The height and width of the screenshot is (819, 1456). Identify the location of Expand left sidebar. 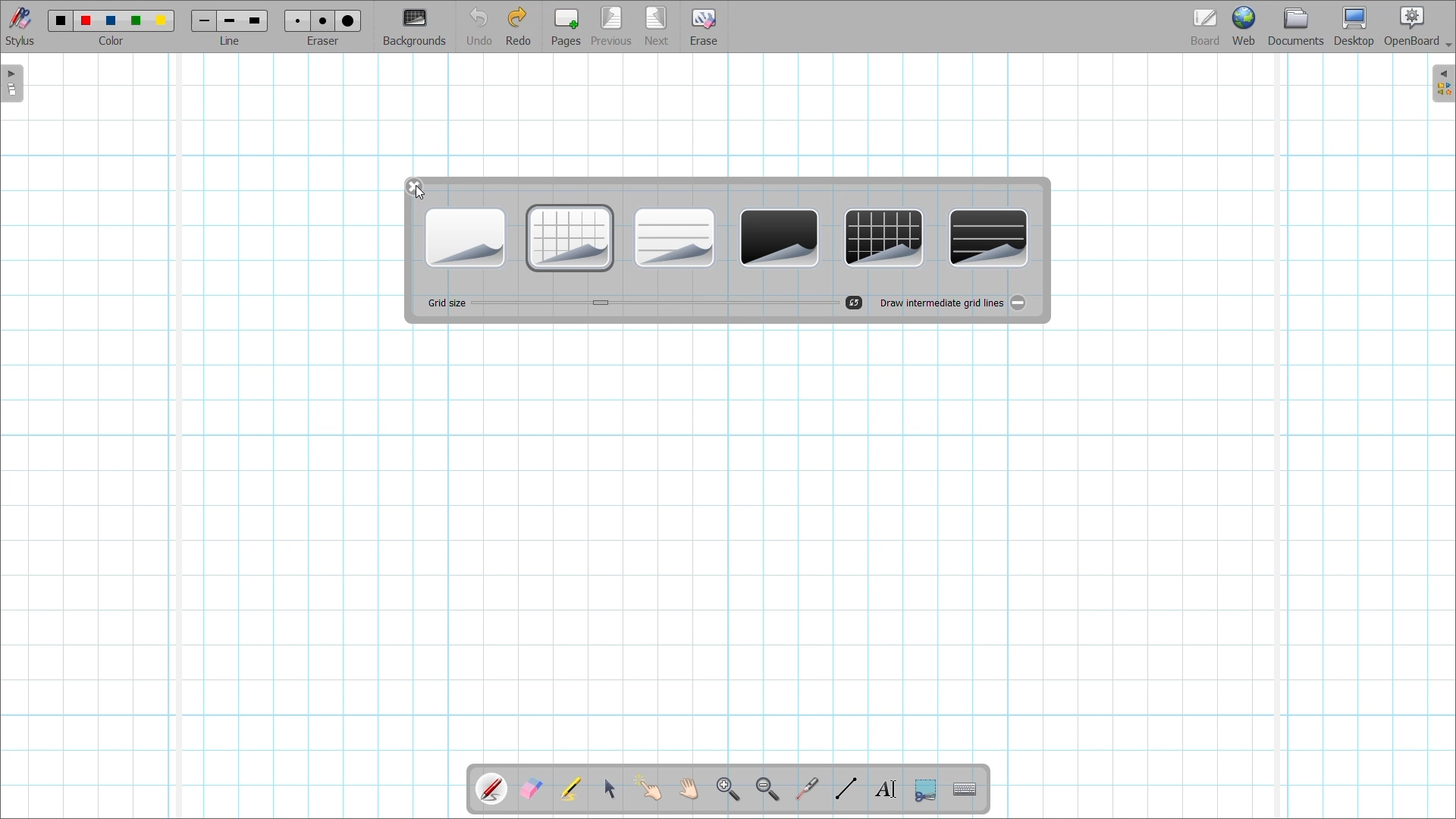
(11, 84).